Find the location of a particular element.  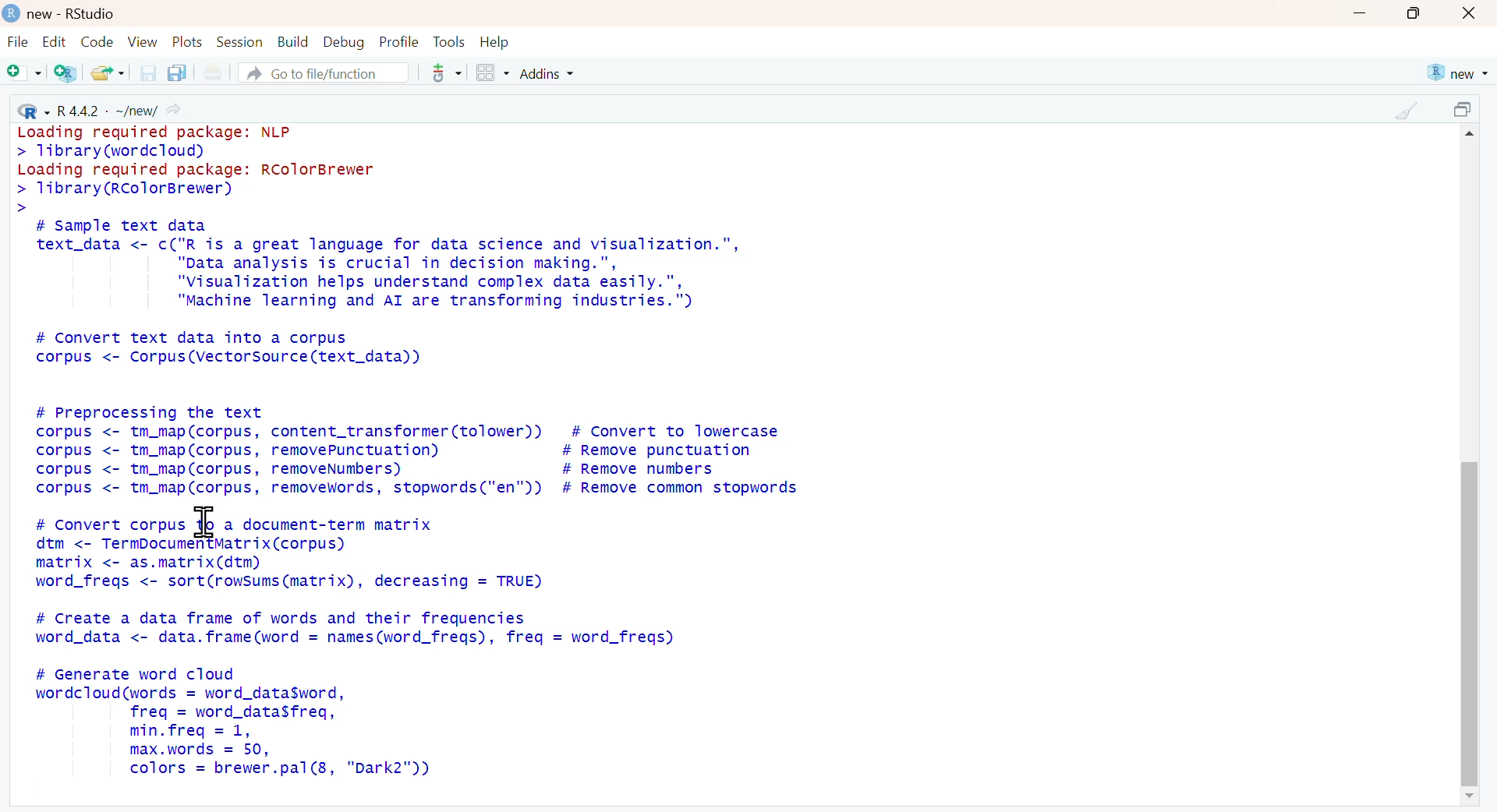

R 4.4.2 - ~/new/ is located at coordinates (97, 108).